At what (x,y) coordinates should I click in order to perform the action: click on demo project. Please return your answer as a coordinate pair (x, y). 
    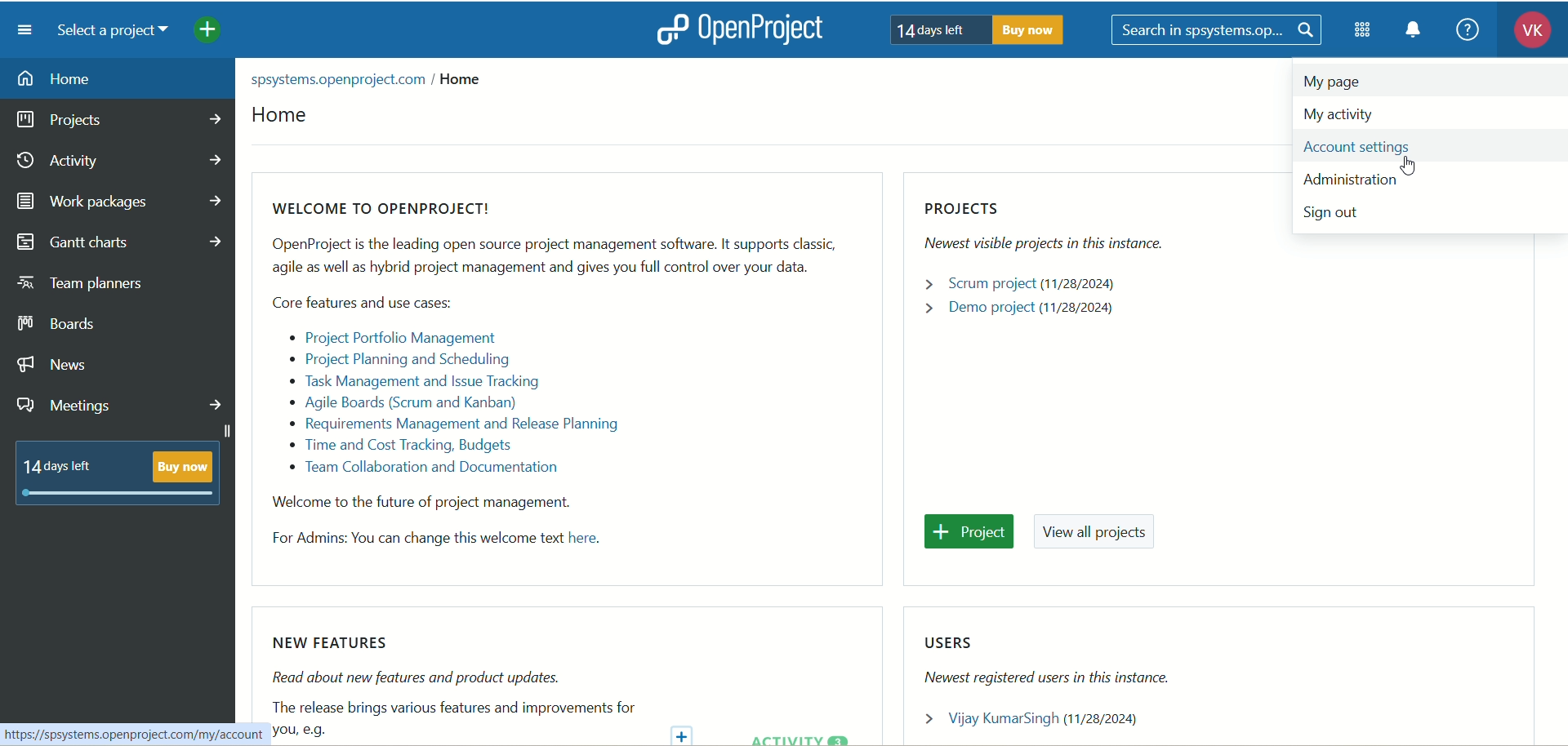
    Looking at the image, I should click on (1020, 313).